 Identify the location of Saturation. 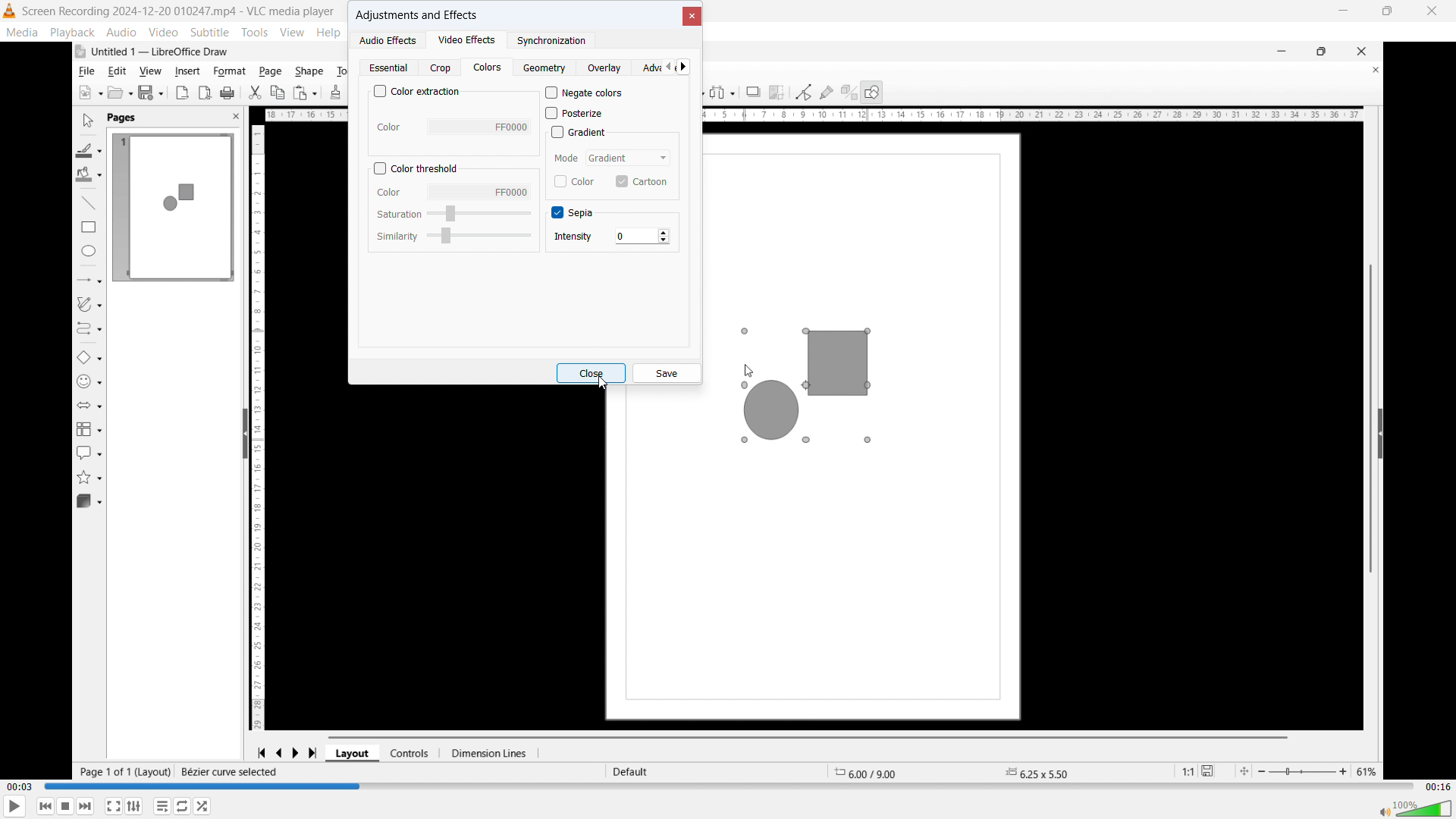
(400, 215).